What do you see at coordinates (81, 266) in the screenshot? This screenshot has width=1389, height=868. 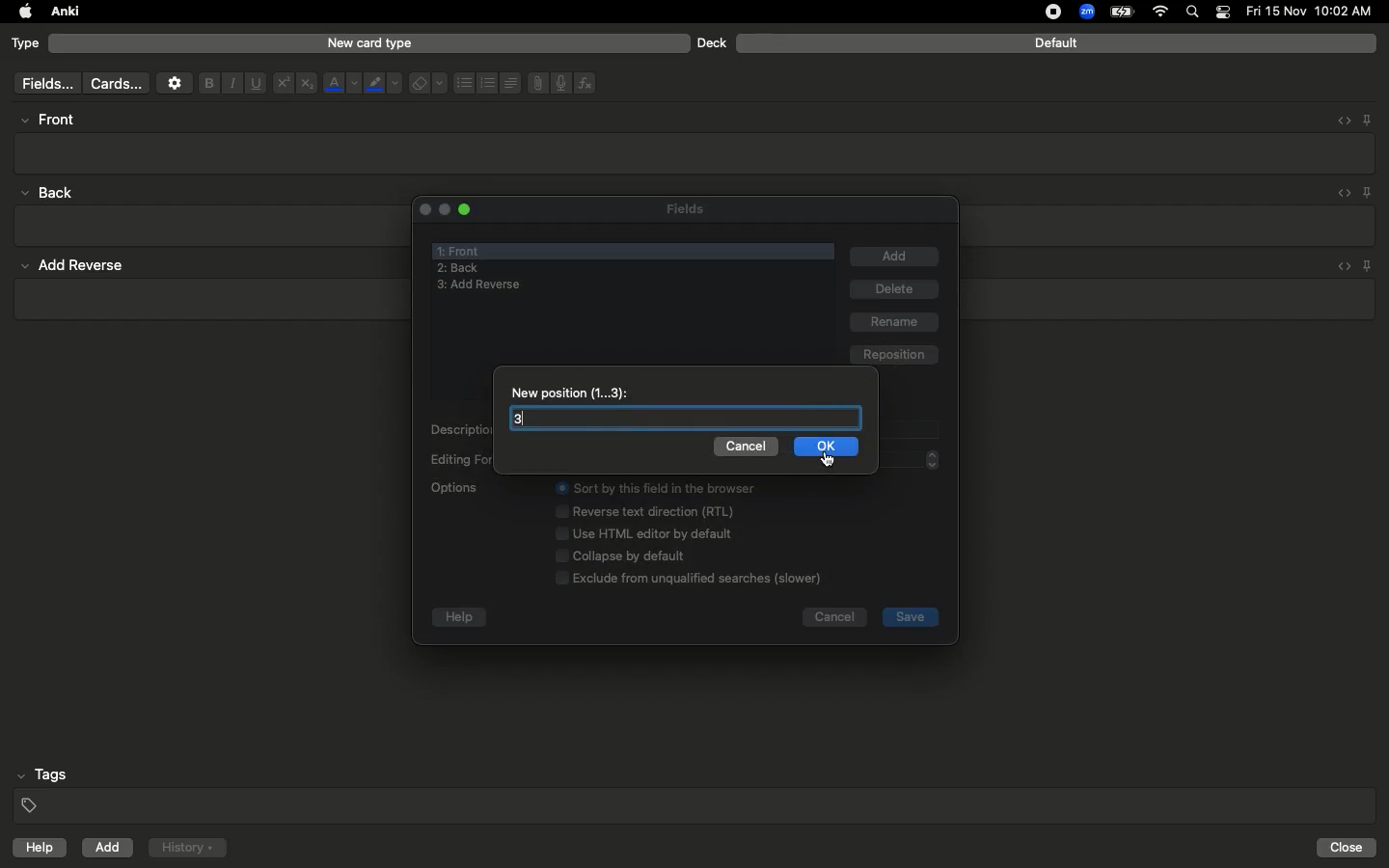 I see `add reverse` at bounding box center [81, 266].